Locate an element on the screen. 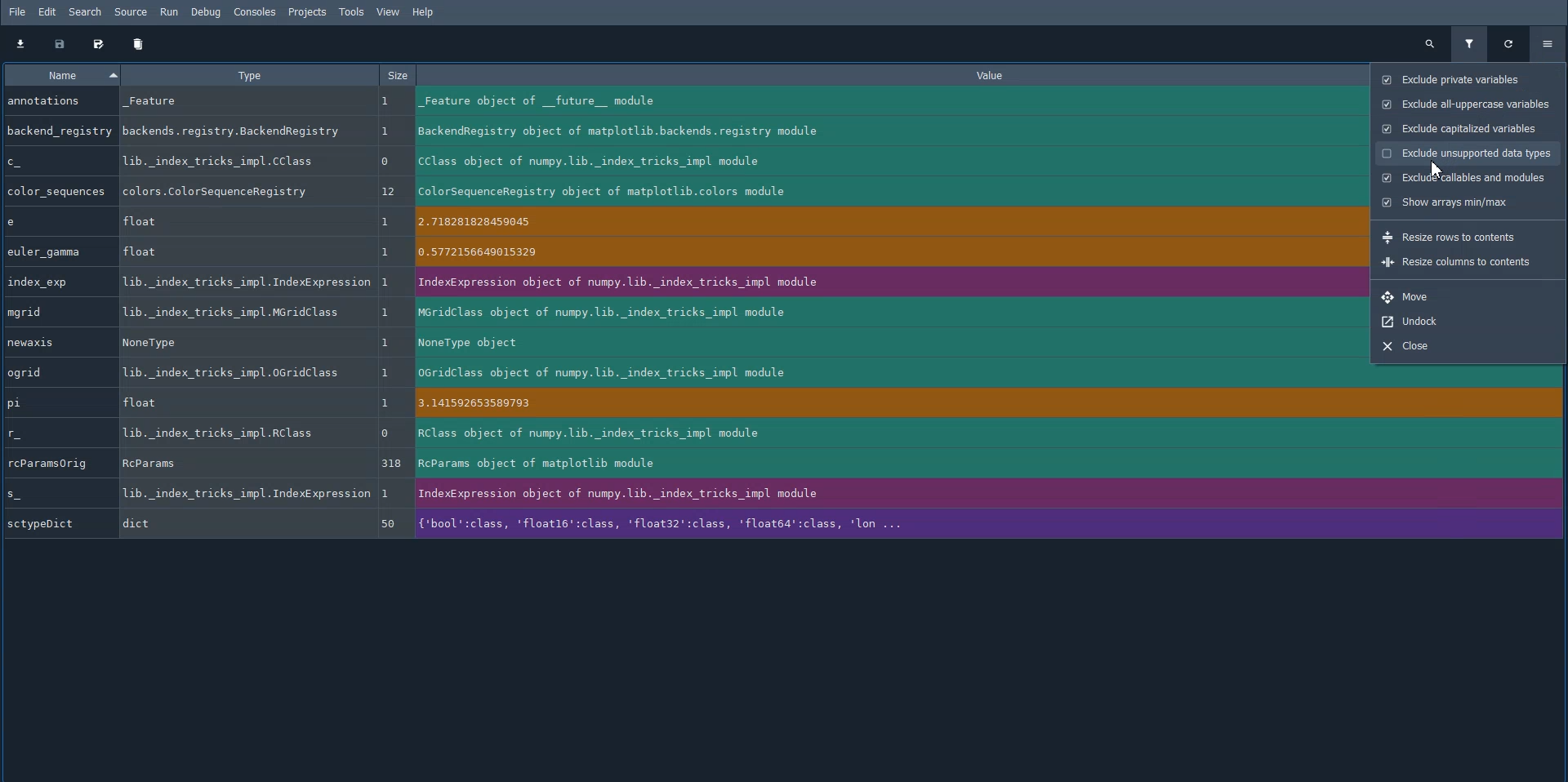 This screenshot has height=782, width=1568. float is located at coordinates (227, 222).